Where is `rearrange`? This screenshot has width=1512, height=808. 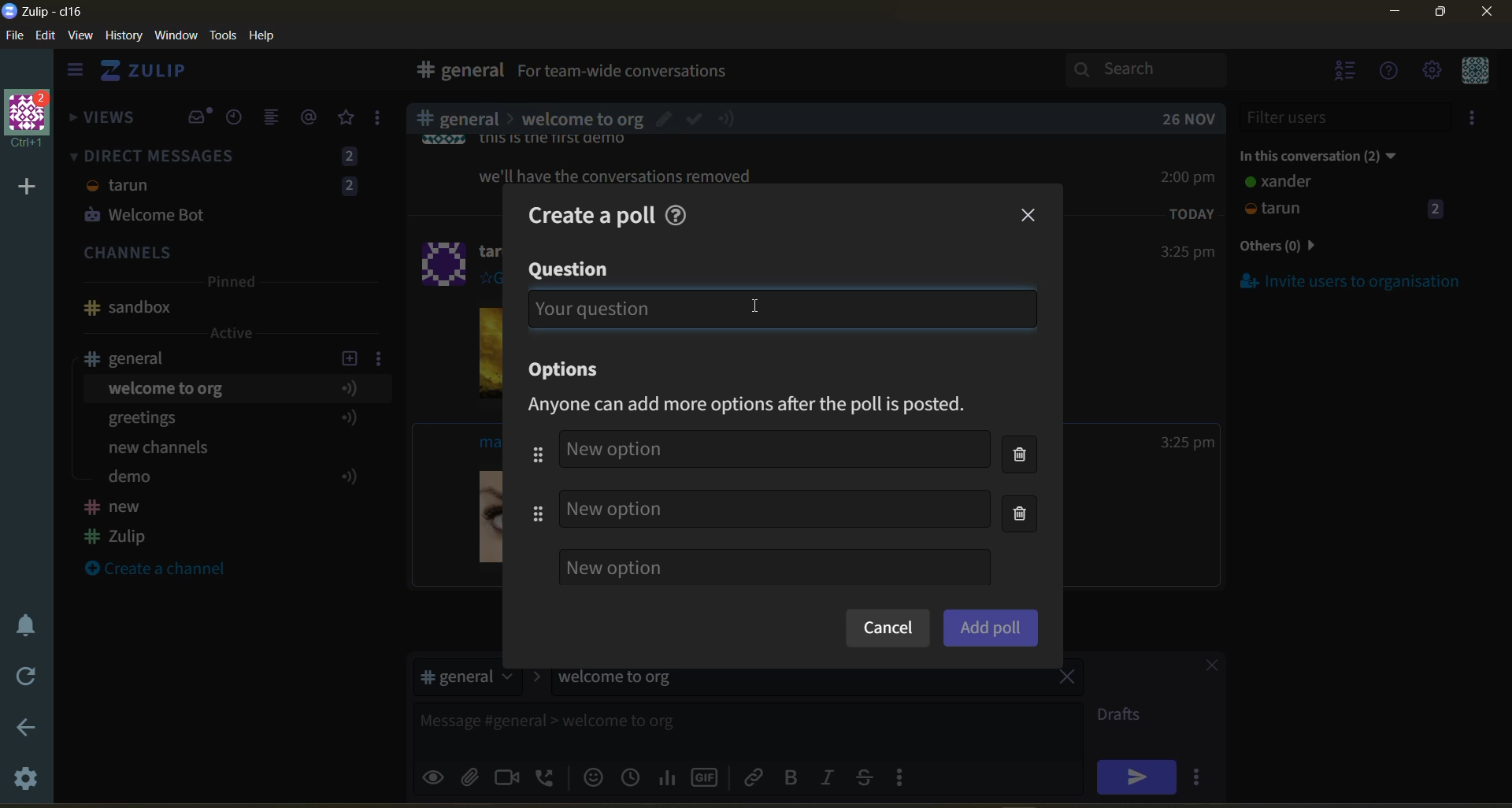
rearrange is located at coordinates (537, 484).